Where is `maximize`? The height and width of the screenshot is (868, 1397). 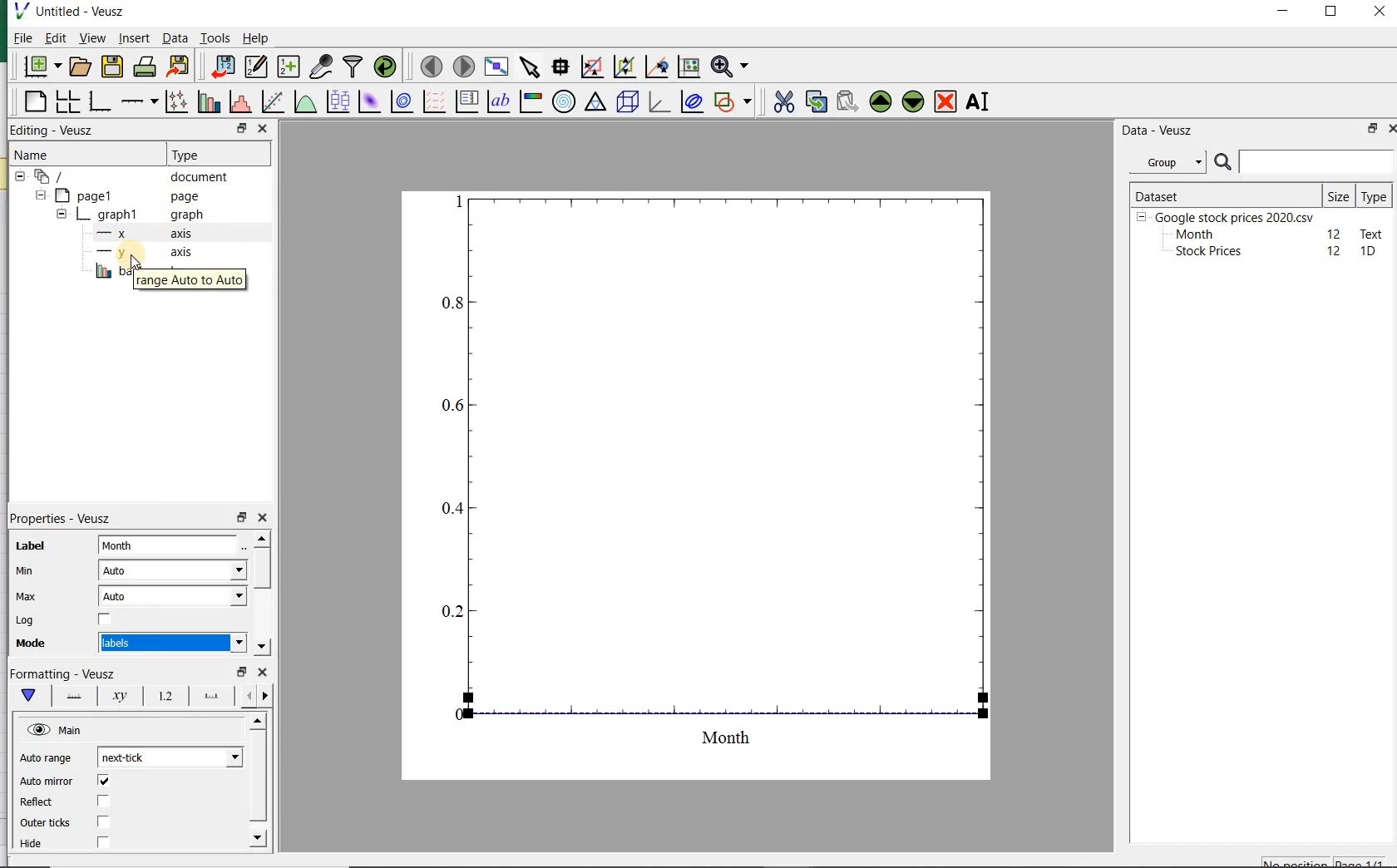
maximize is located at coordinates (1334, 13).